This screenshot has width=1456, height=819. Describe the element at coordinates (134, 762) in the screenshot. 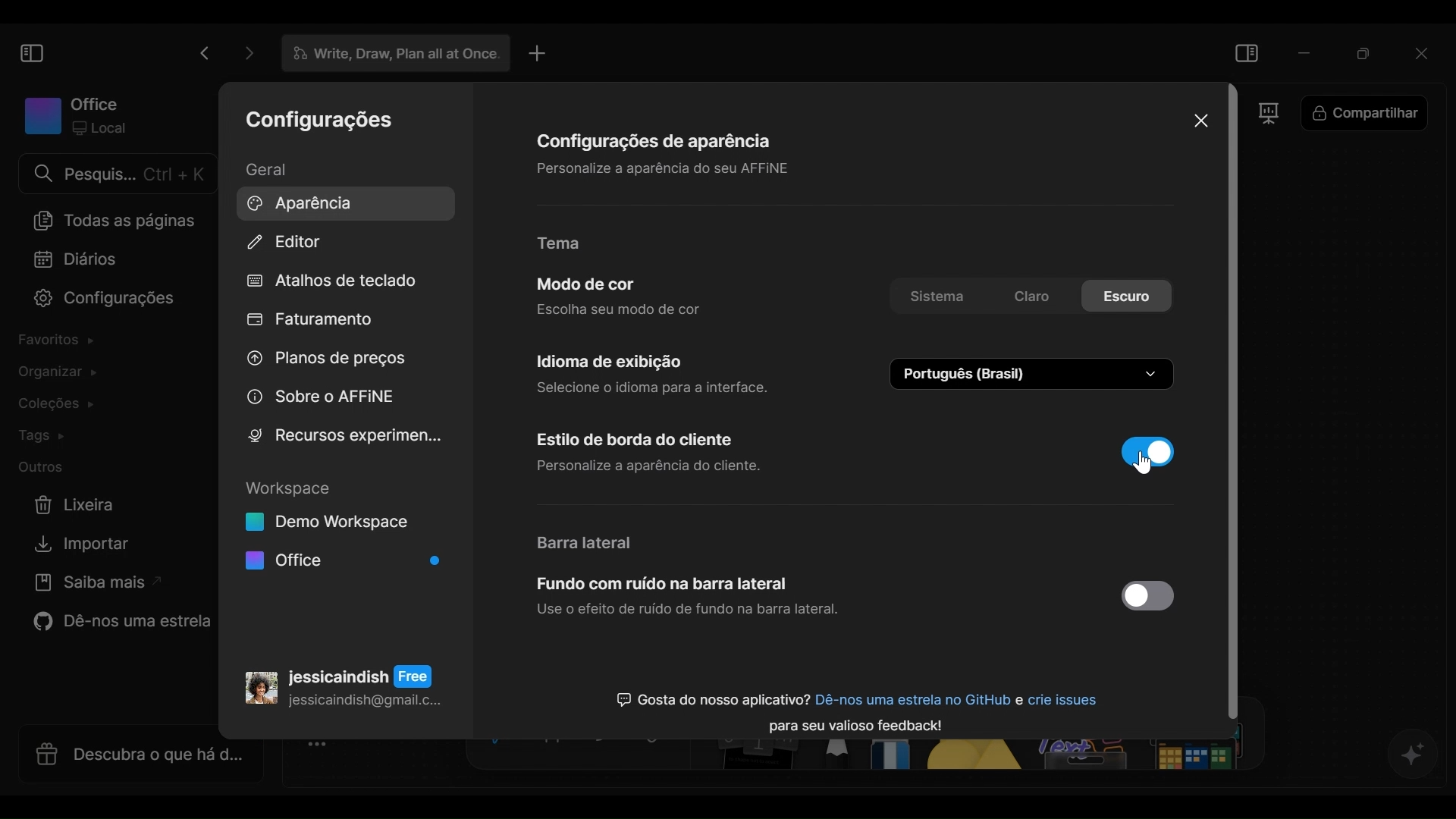

I see `Discover what's new` at that location.